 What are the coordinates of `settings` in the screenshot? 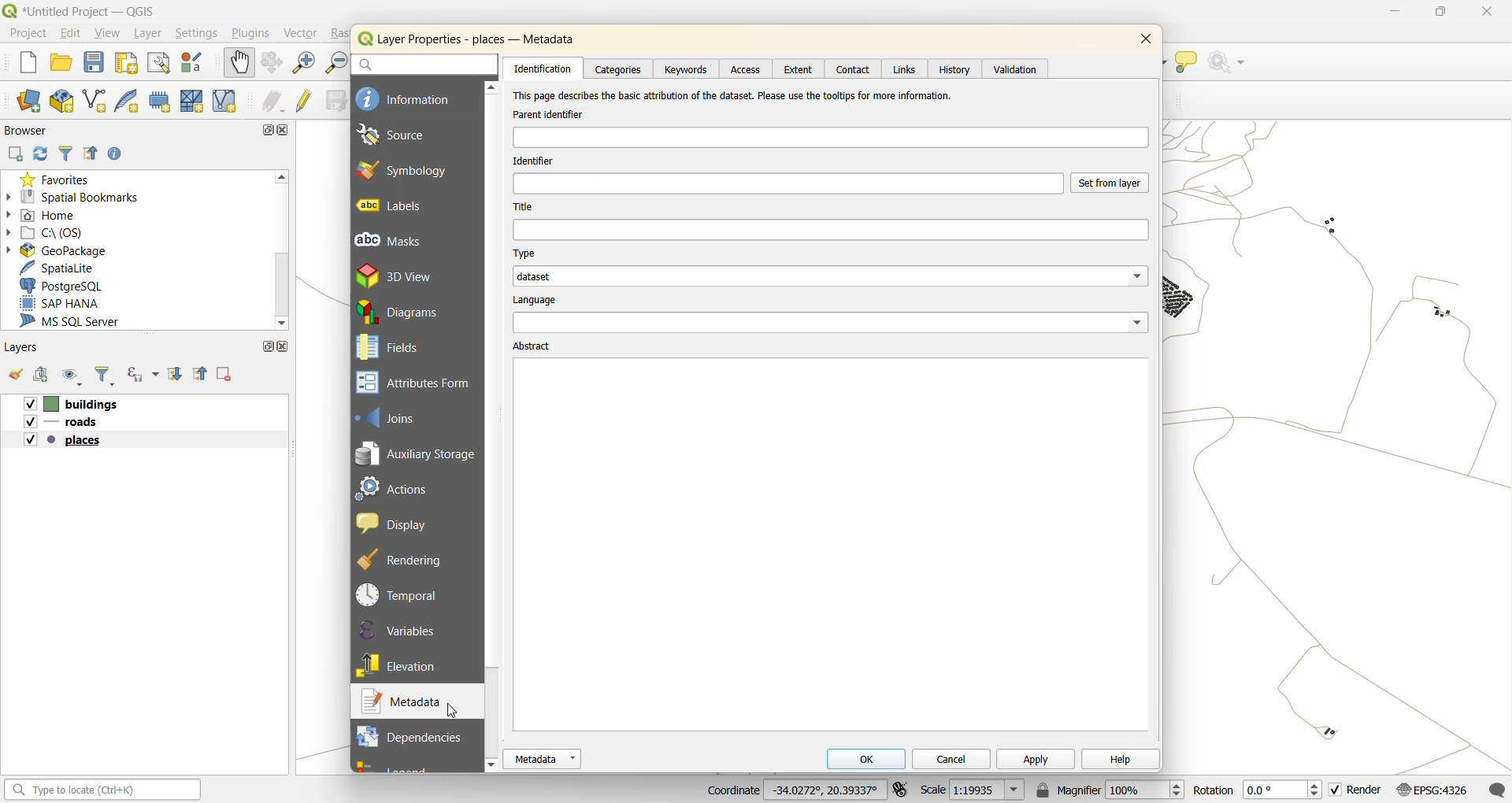 It's located at (198, 34).